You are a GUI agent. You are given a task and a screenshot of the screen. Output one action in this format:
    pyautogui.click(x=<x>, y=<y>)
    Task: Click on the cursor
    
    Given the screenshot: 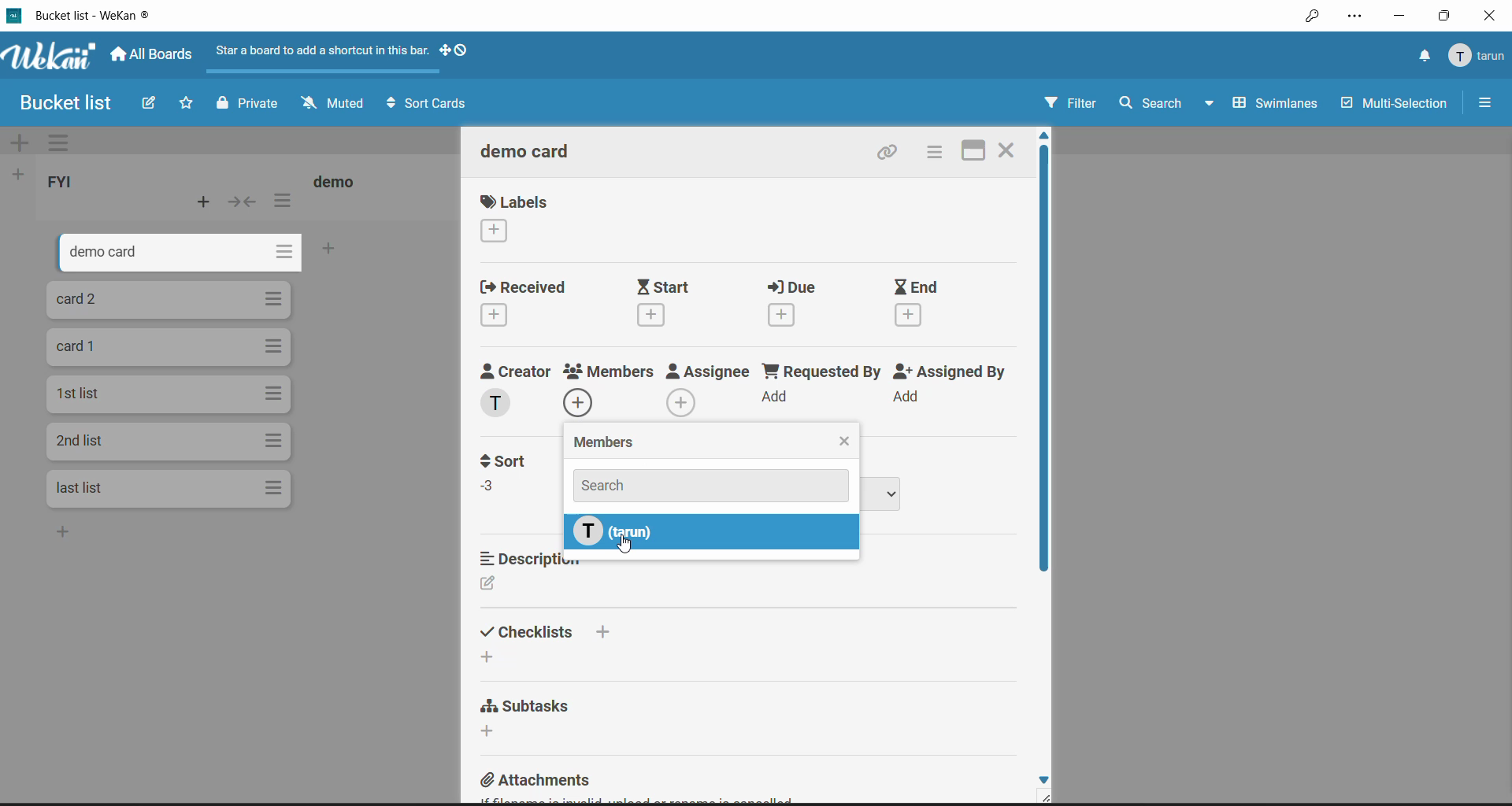 What is the action you would take?
    pyautogui.click(x=625, y=544)
    